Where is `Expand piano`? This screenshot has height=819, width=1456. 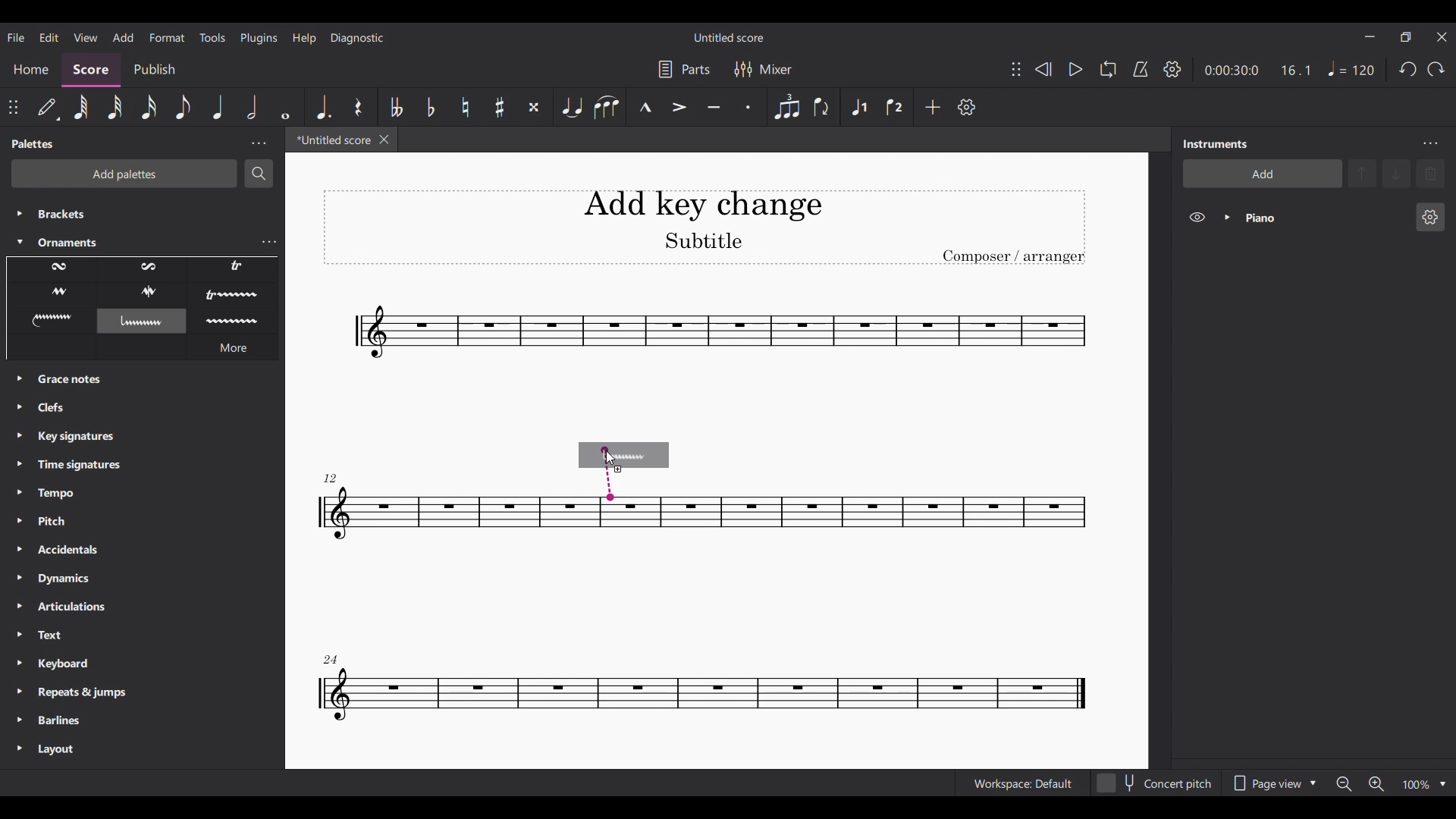 Expand piano is located at coordinates (1227, 217).